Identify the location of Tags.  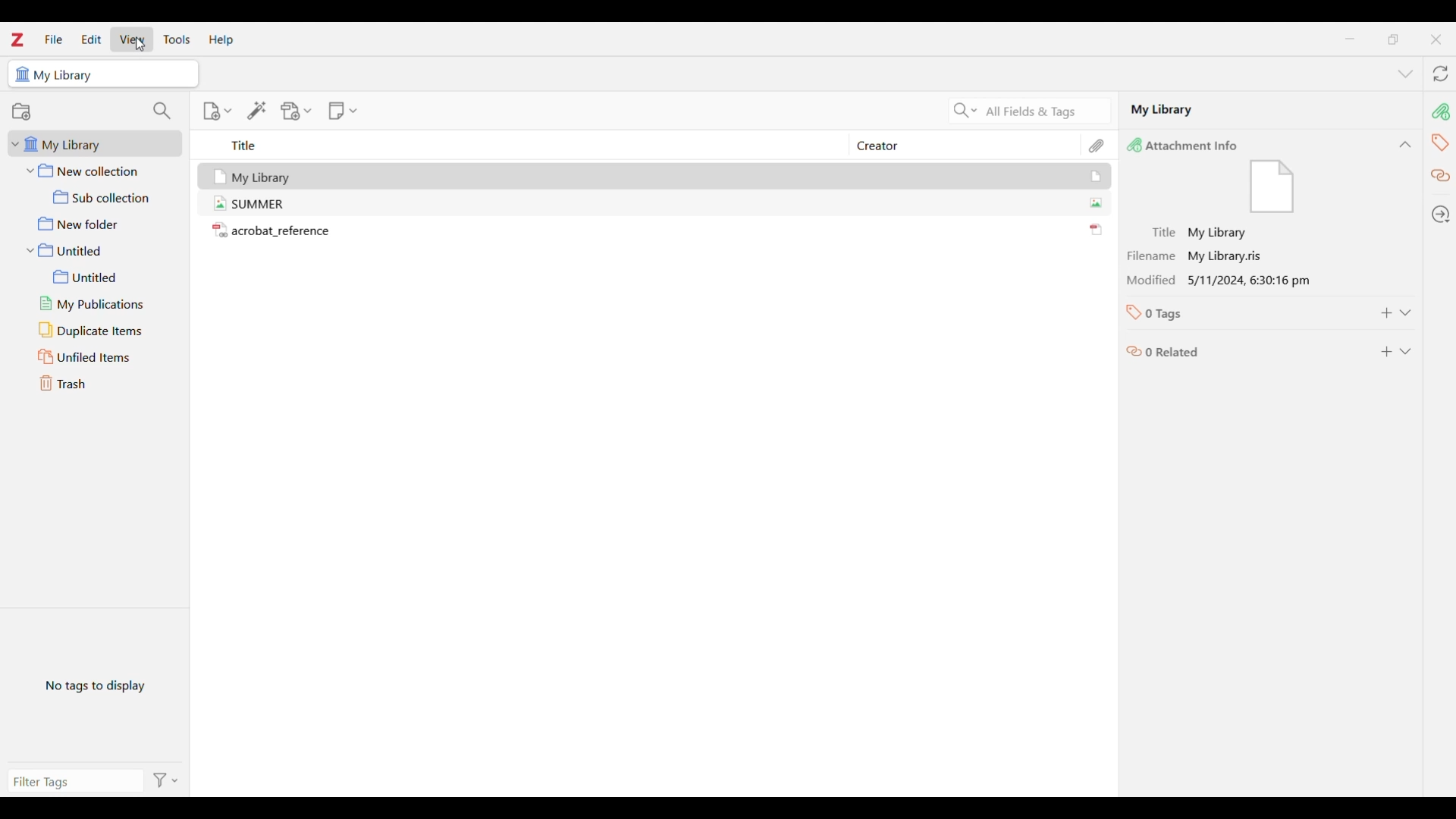
(1439, 142).